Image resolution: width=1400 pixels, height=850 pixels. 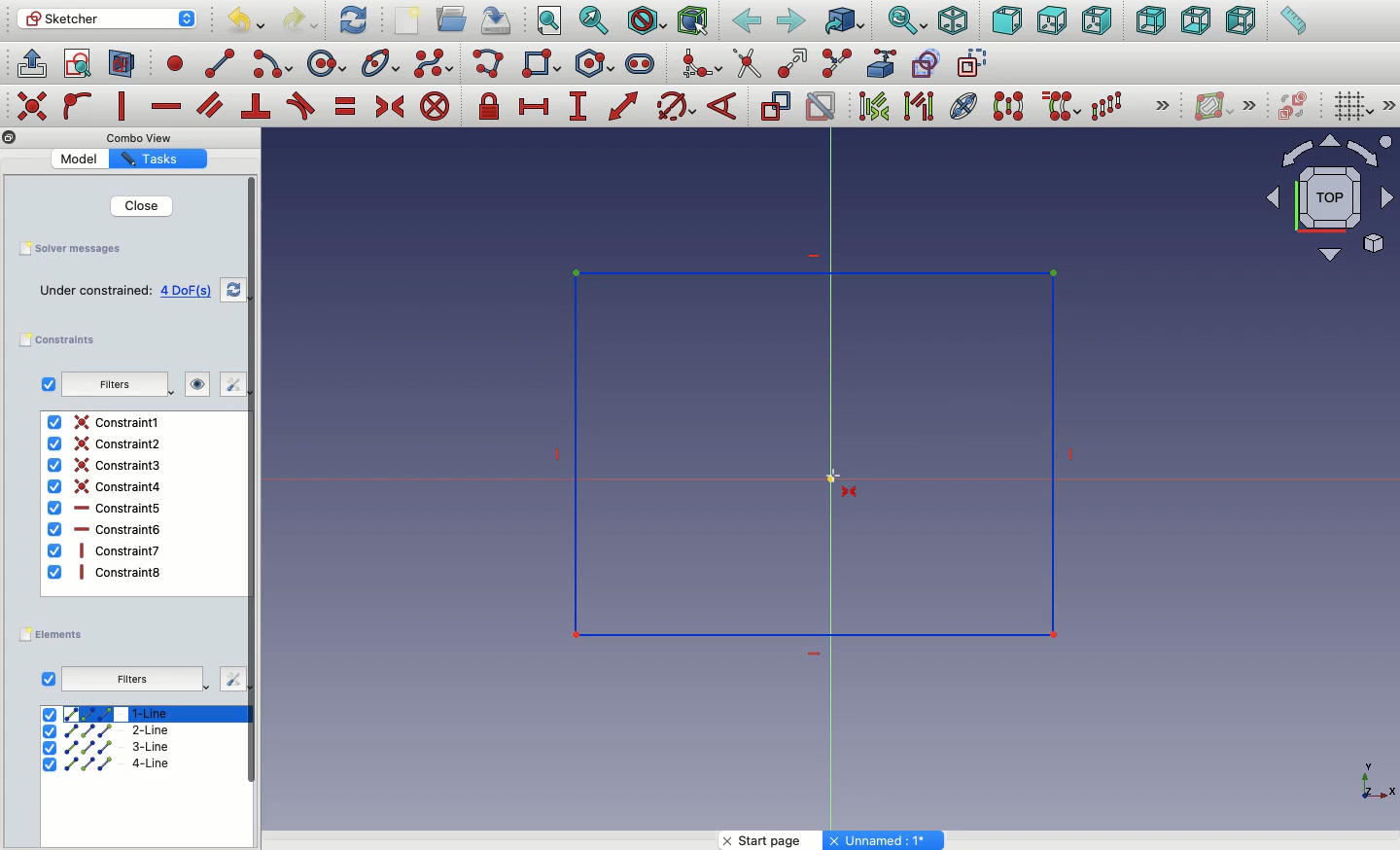 What do you see at coordinates (844, 477) in the screenshot?
I see `Cursor` at bounding box center [844, 477].